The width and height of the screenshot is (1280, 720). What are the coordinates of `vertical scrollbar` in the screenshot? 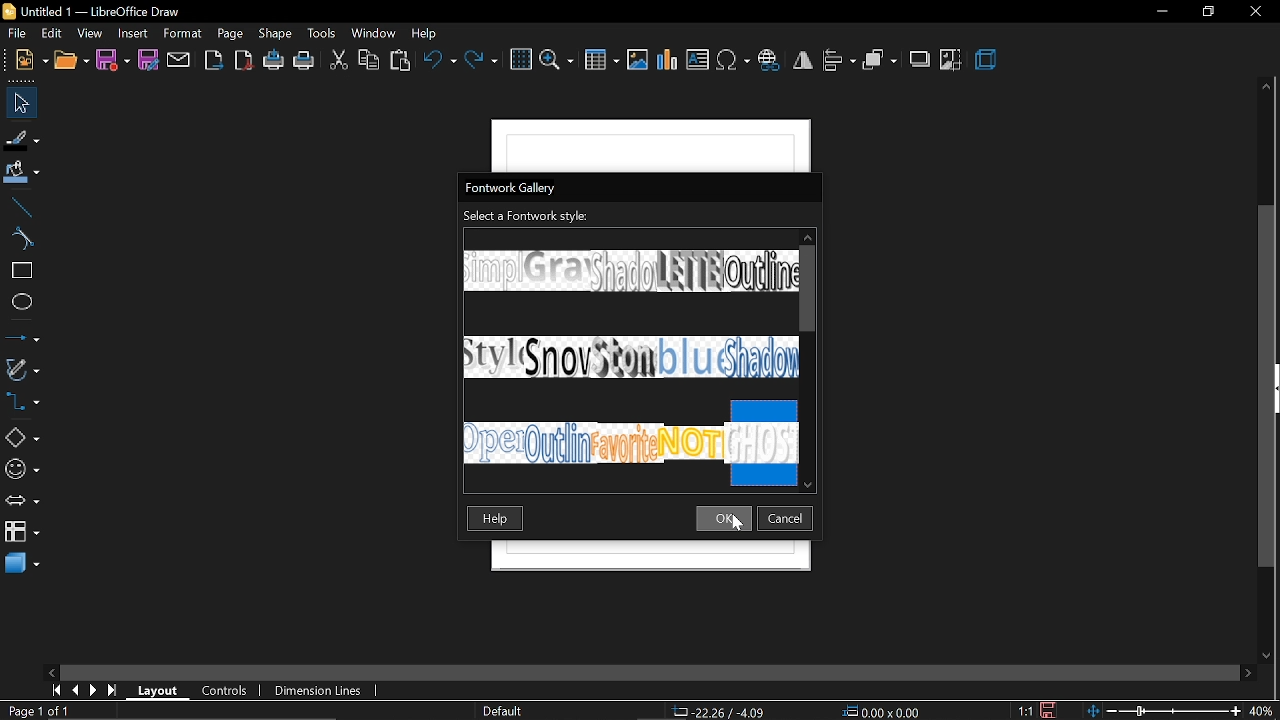 It's located at (1268, 388).